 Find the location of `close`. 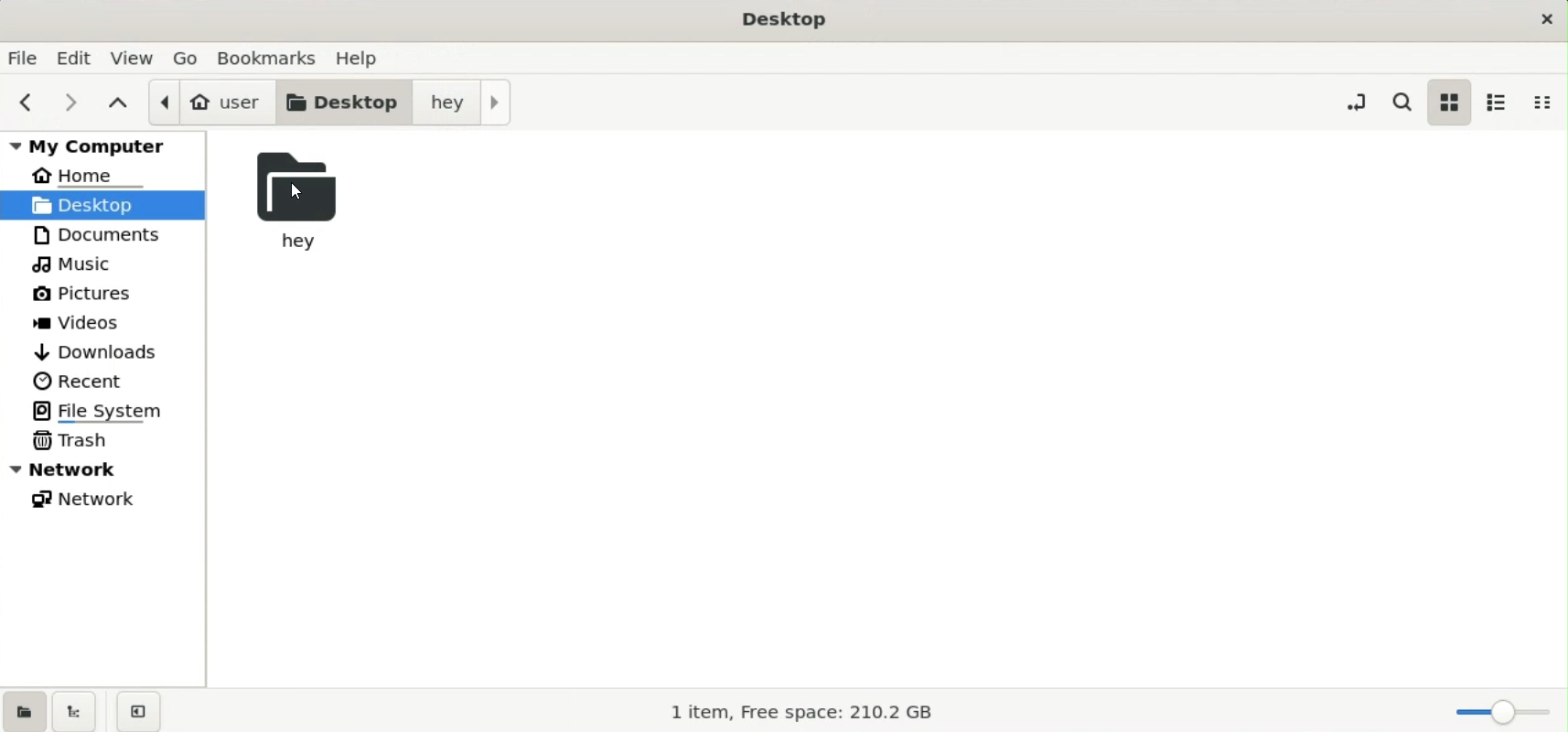

close is located at coordinates (1543, 18).